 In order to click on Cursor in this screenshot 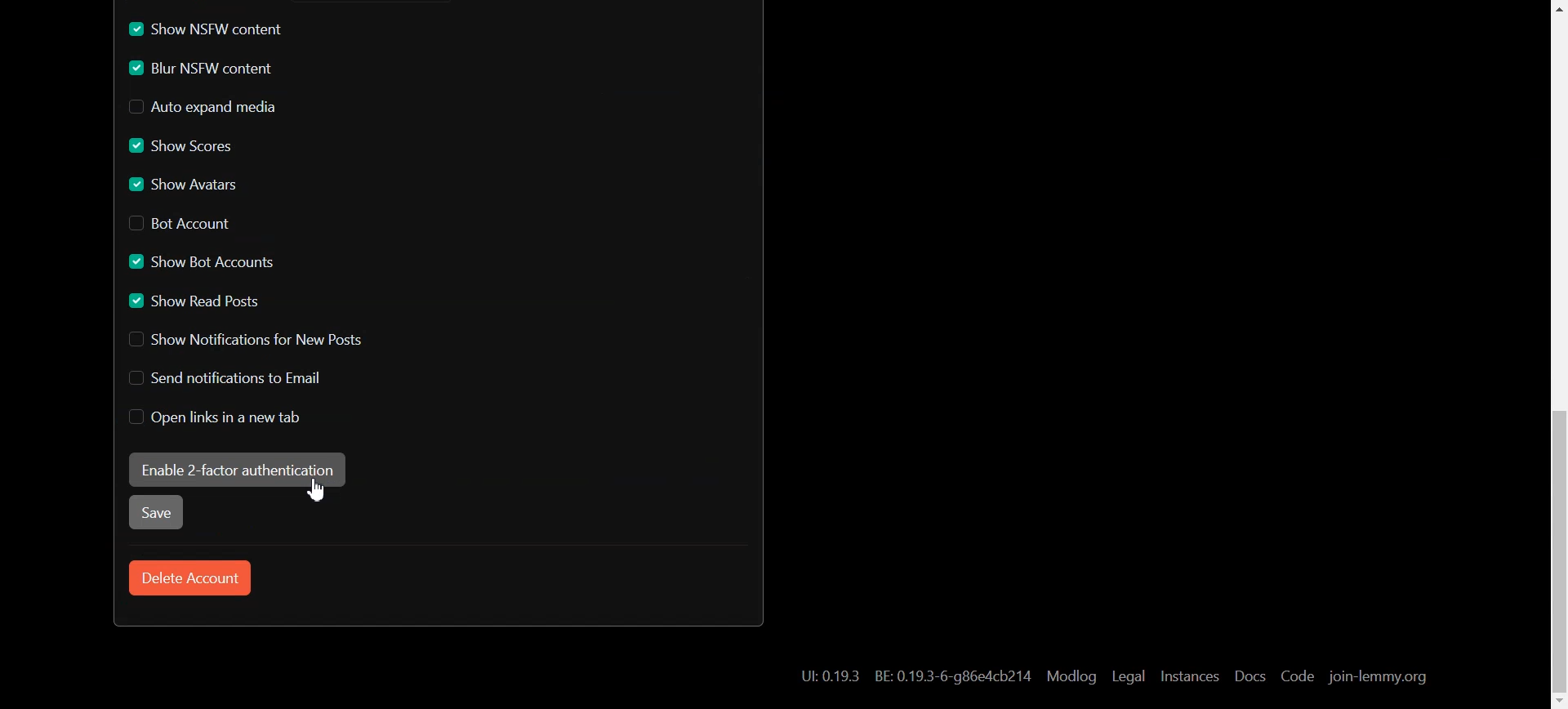, I will do `click(317, 490)`.